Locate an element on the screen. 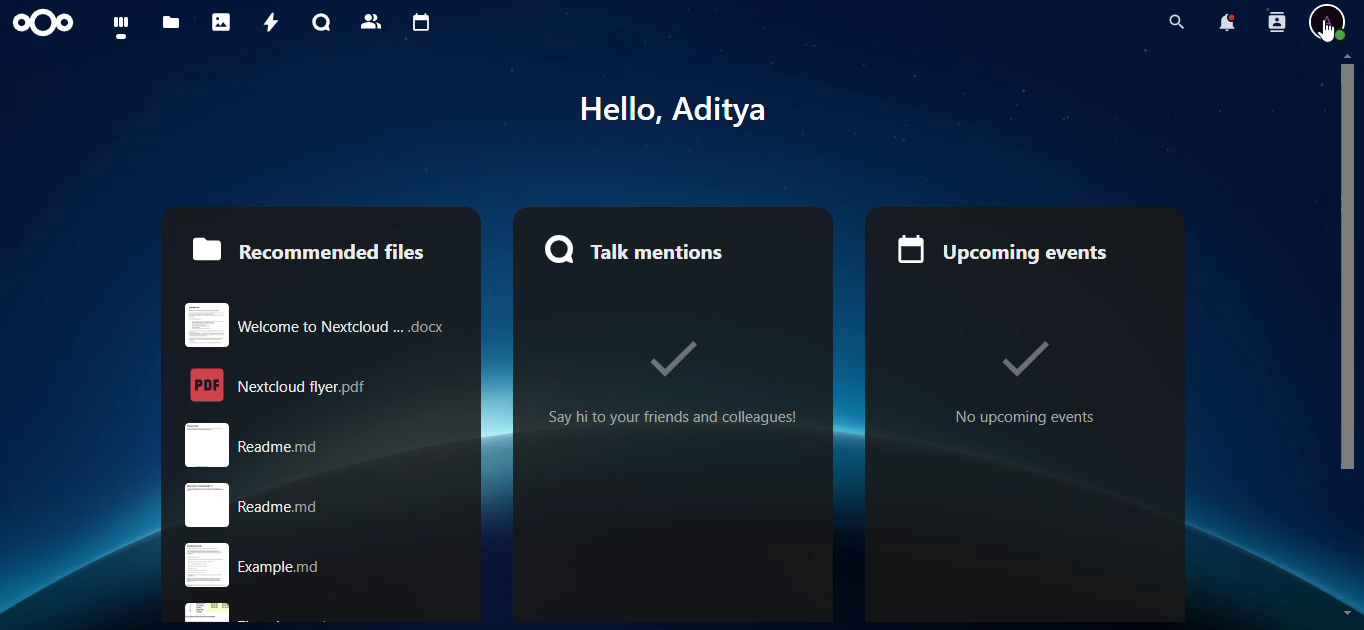 This screenshot has width=1364, height=630. photos is located at coordinates (222, 22).